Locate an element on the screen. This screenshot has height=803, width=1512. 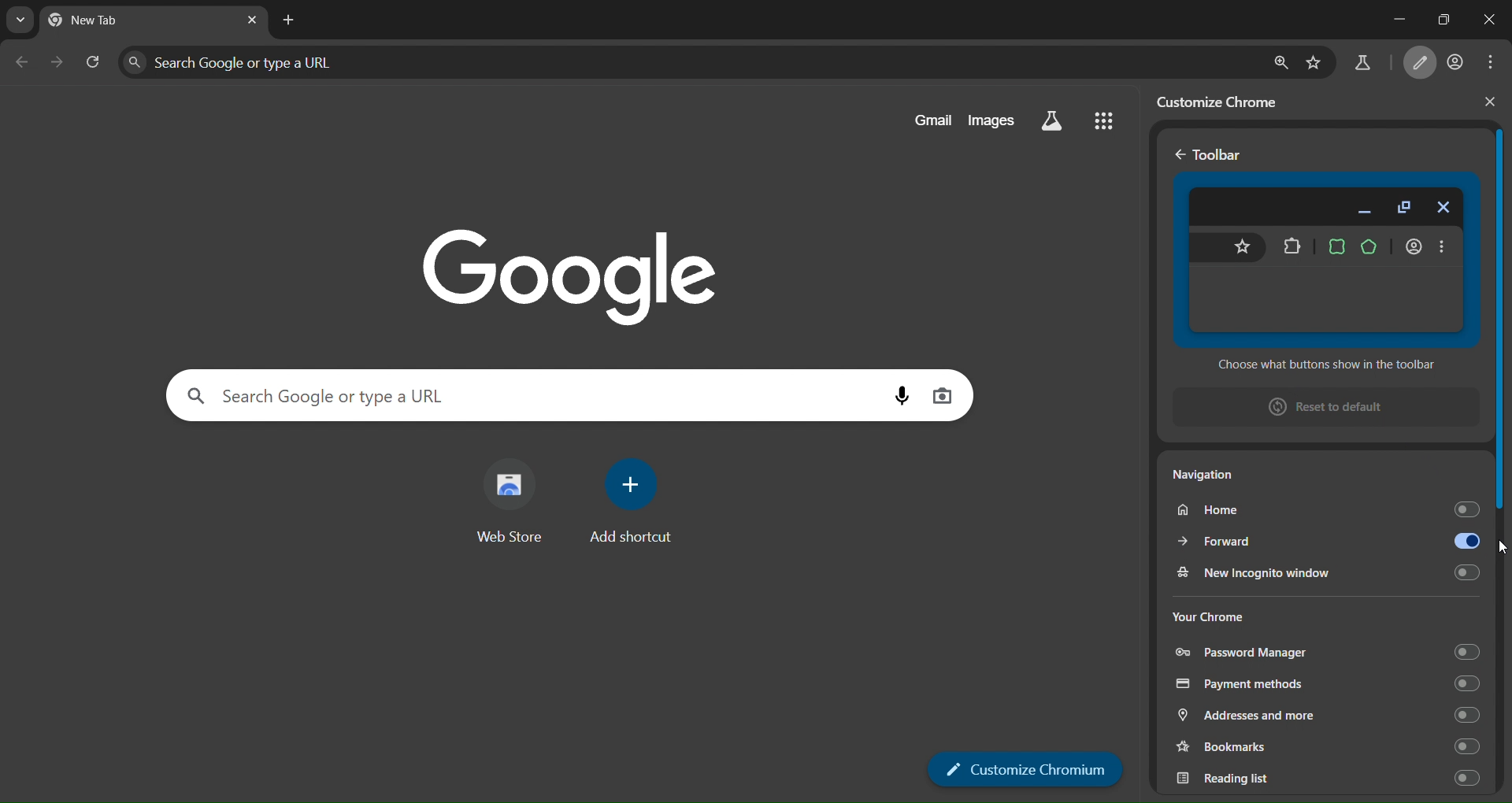
back is located at coordinates (1178, 155).